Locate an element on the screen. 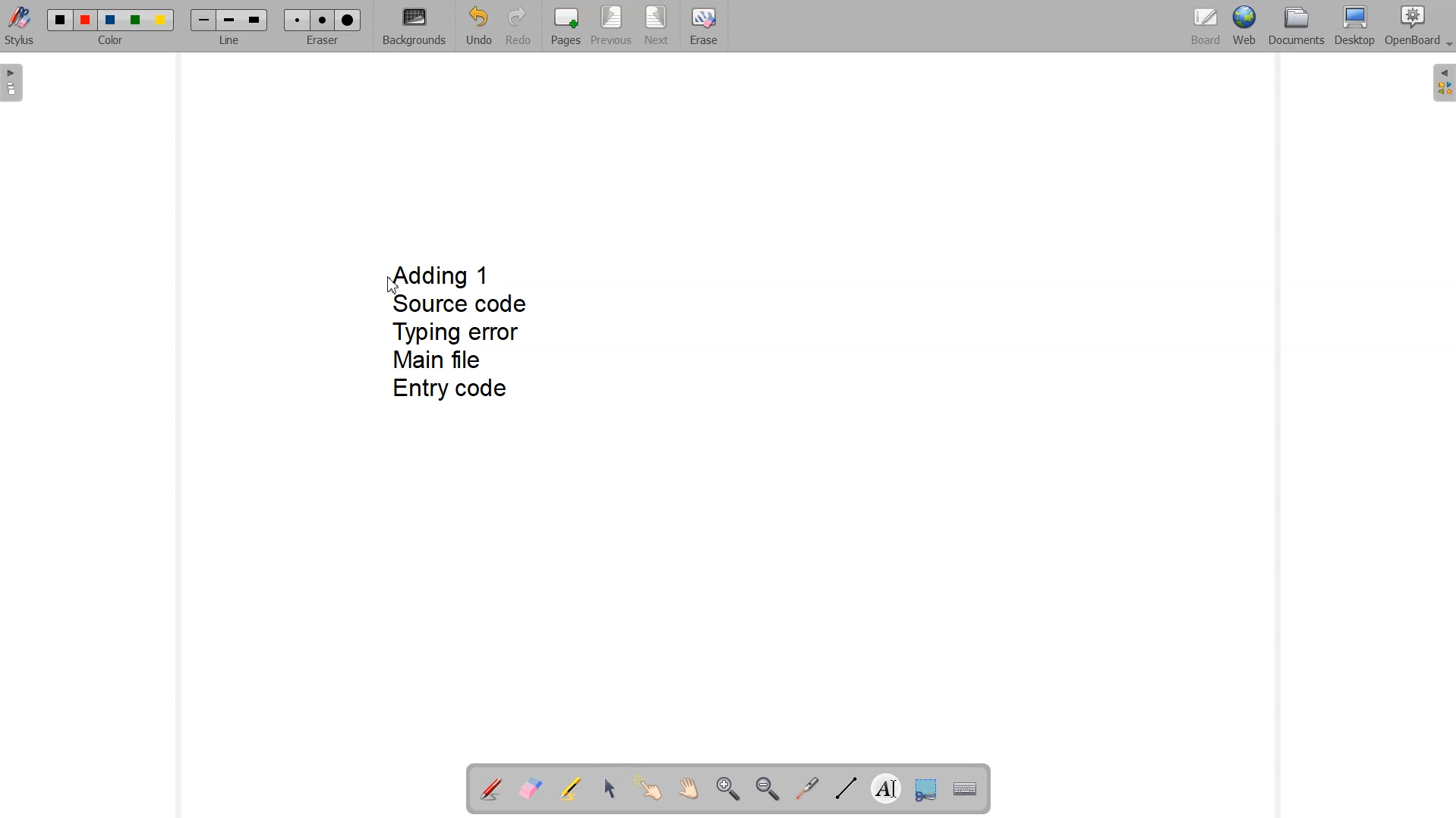  Cursor is located at coordinates (394, 285).